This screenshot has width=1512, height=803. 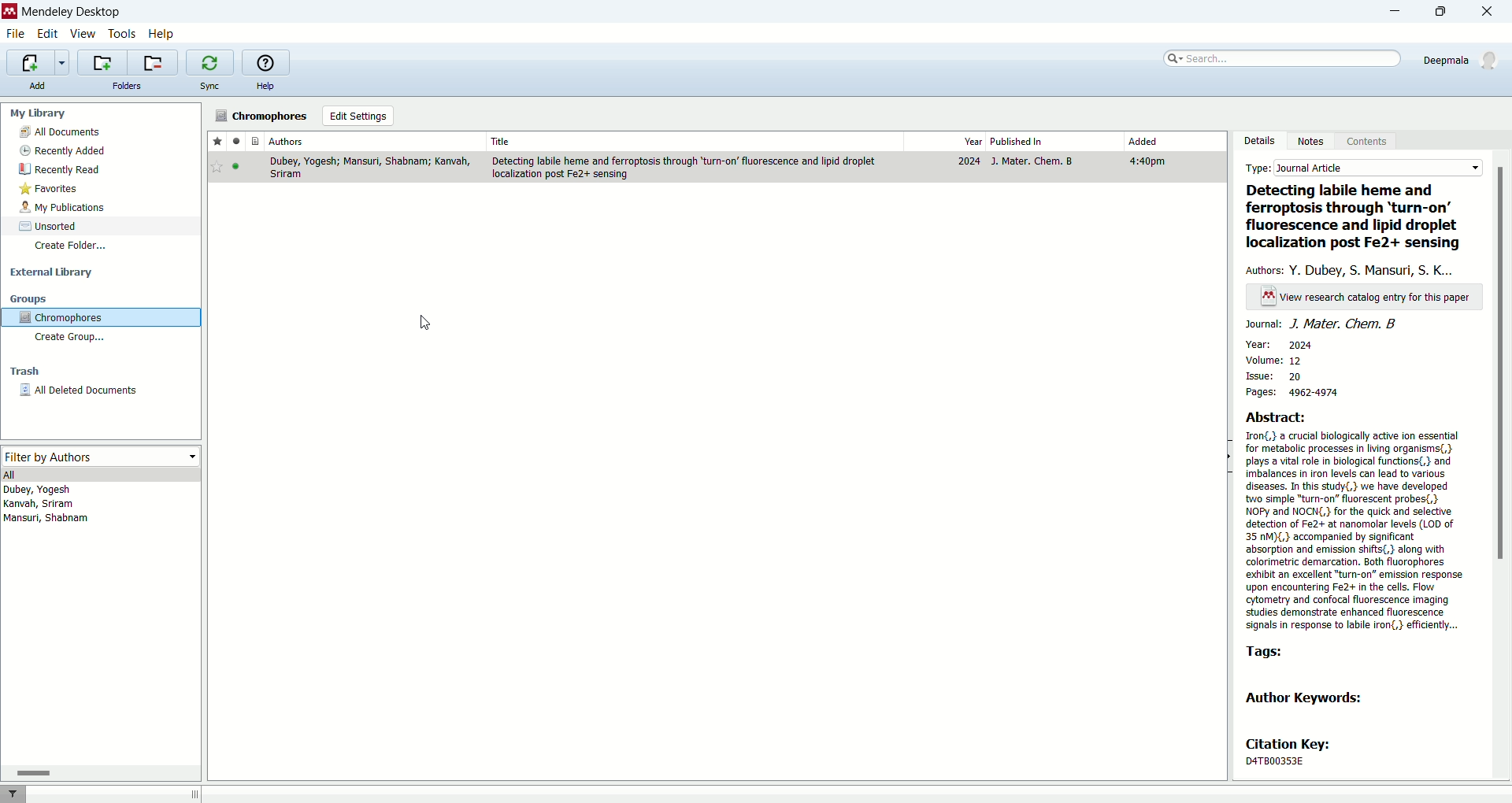 What do you see at coordinates (49, 190) in the screenshot?
I see `favorites` at bounding box center [49, 190].